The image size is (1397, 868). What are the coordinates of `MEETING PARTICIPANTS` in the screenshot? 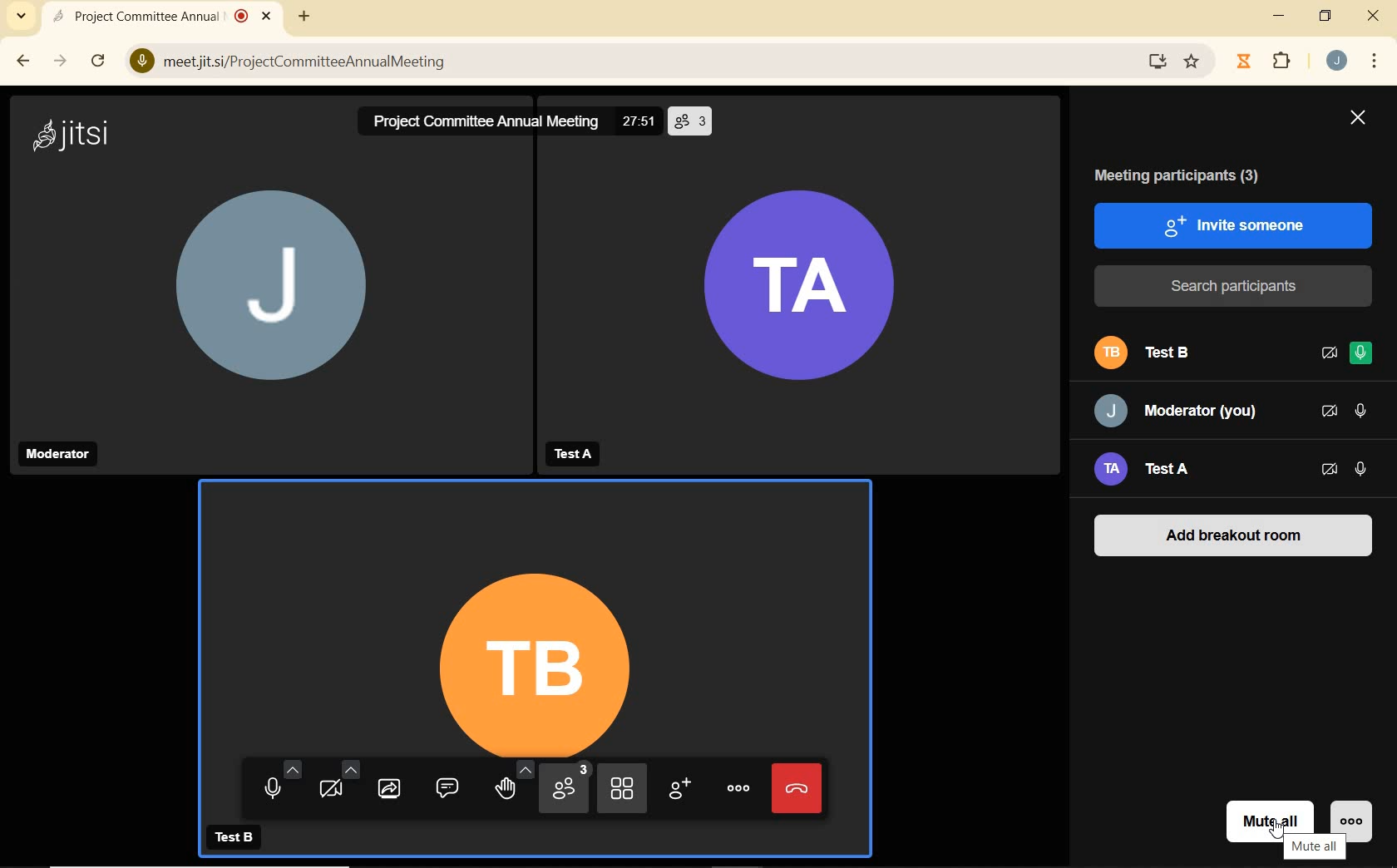 It's located at (1184, 177).